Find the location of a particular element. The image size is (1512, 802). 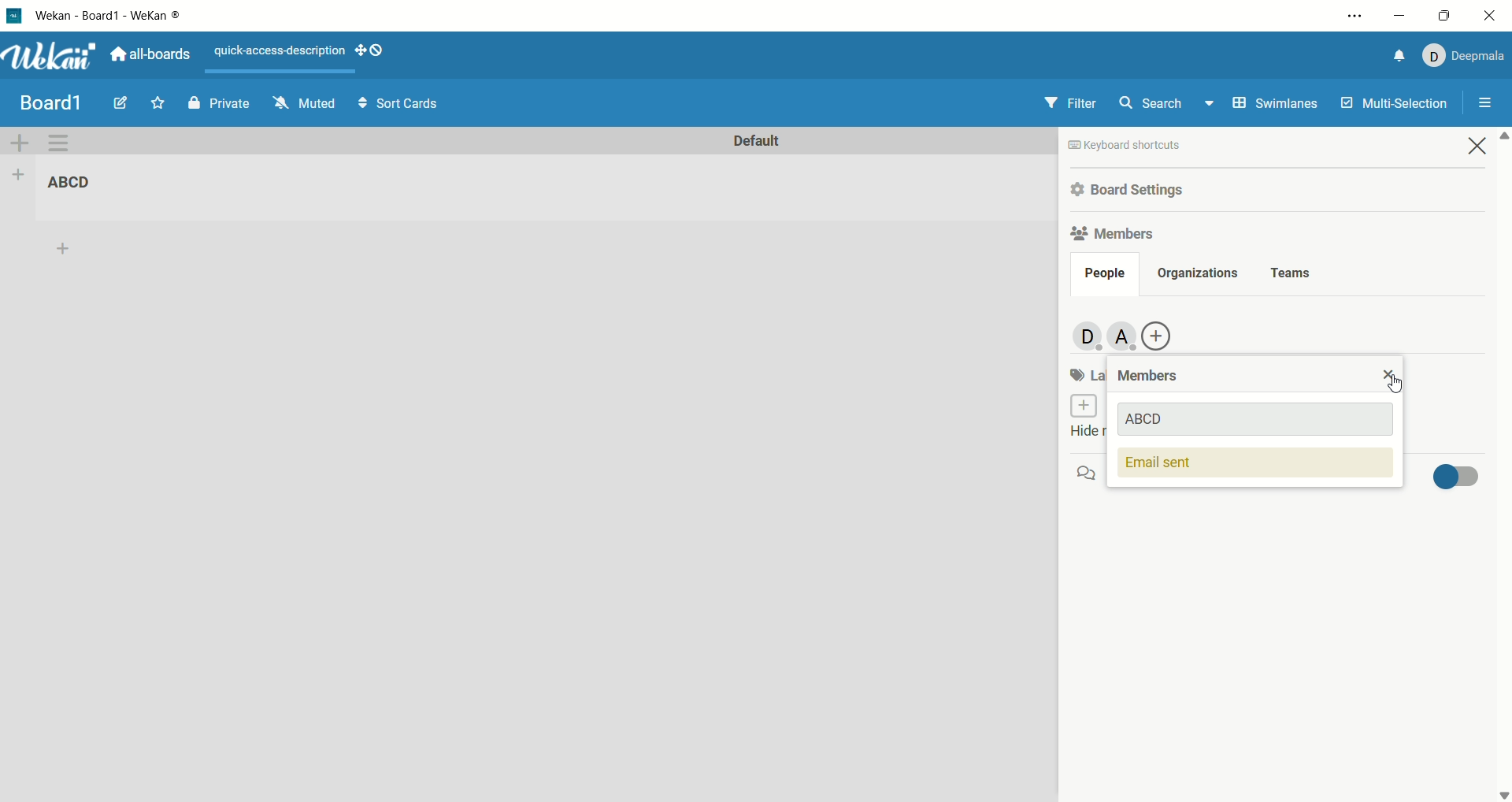

maximize is located at coordinates (1443, 16).